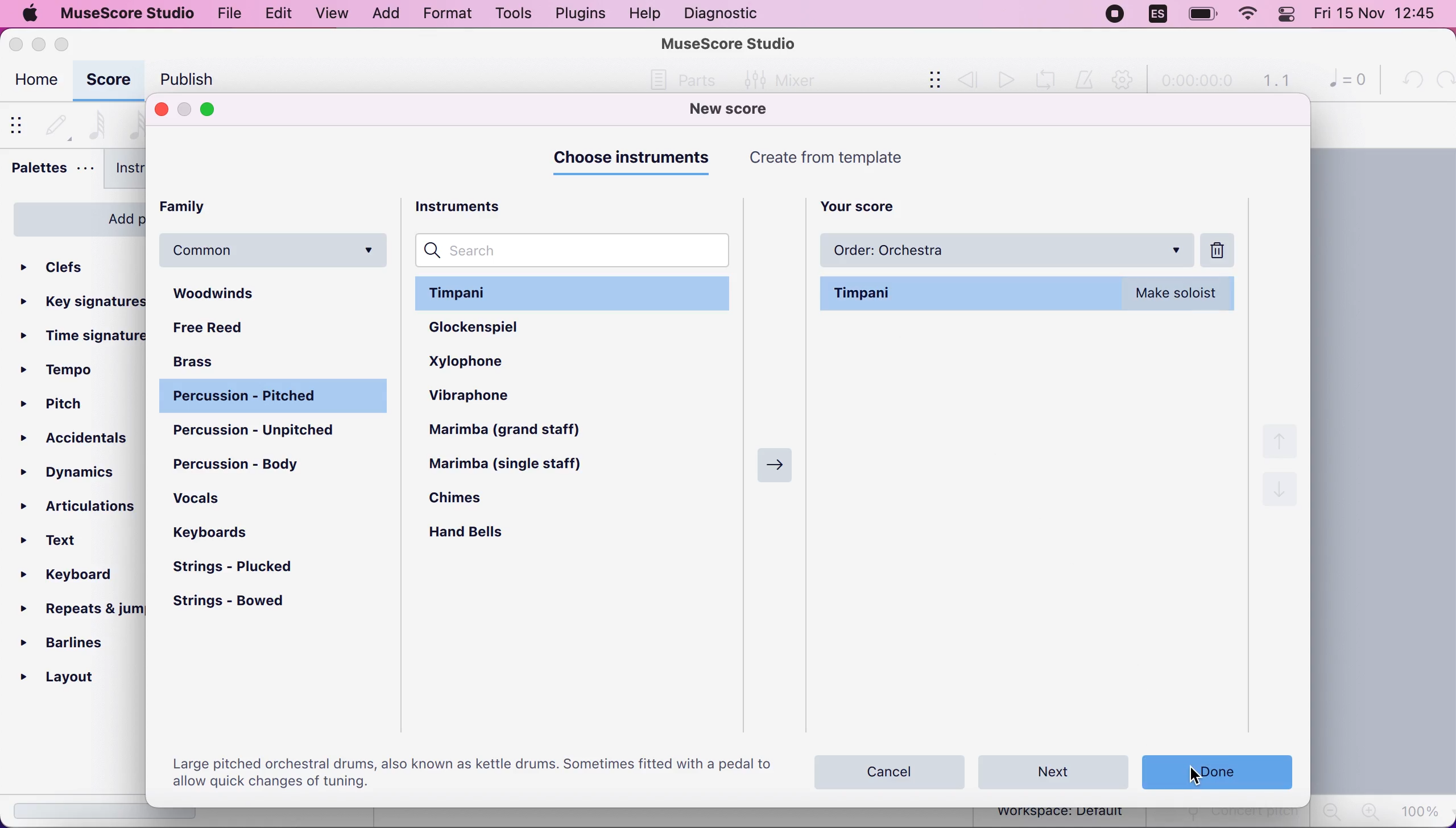  I want to click on strings - plucked, so click(241, 568).